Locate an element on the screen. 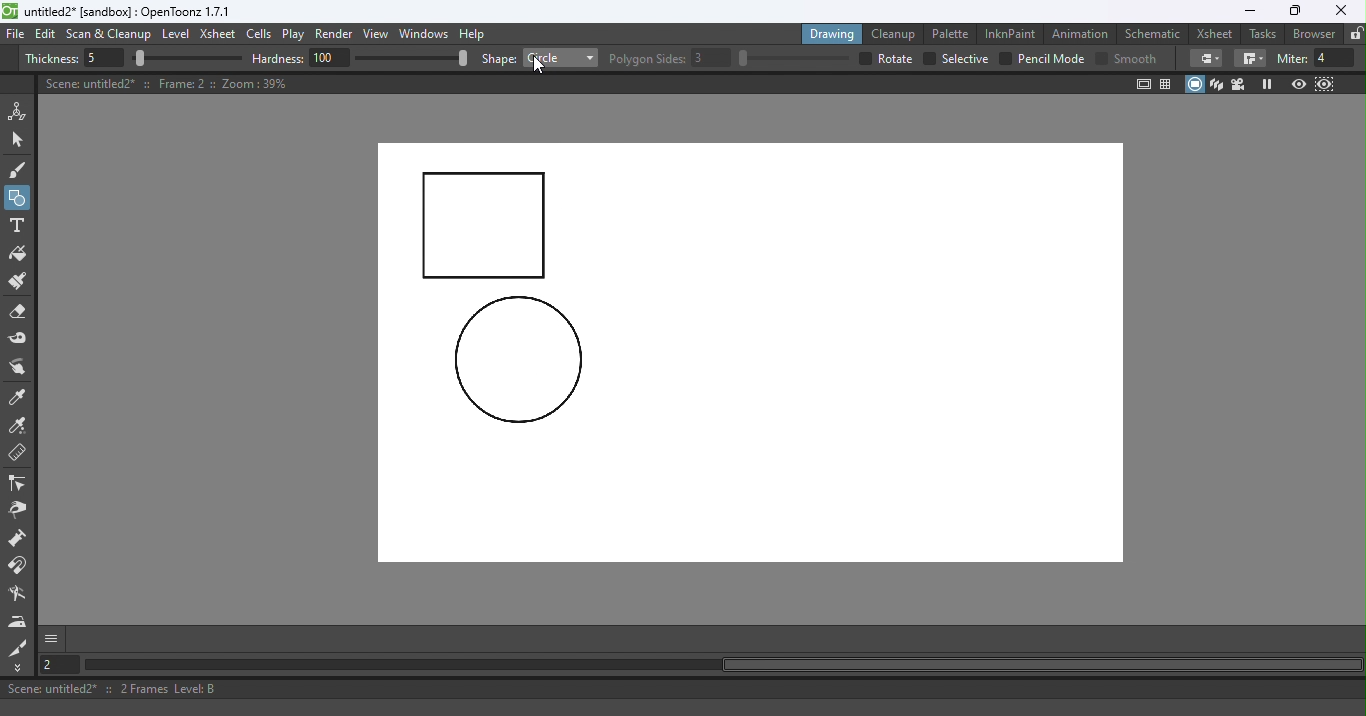  Animation is located at coordinates (1083, 32).